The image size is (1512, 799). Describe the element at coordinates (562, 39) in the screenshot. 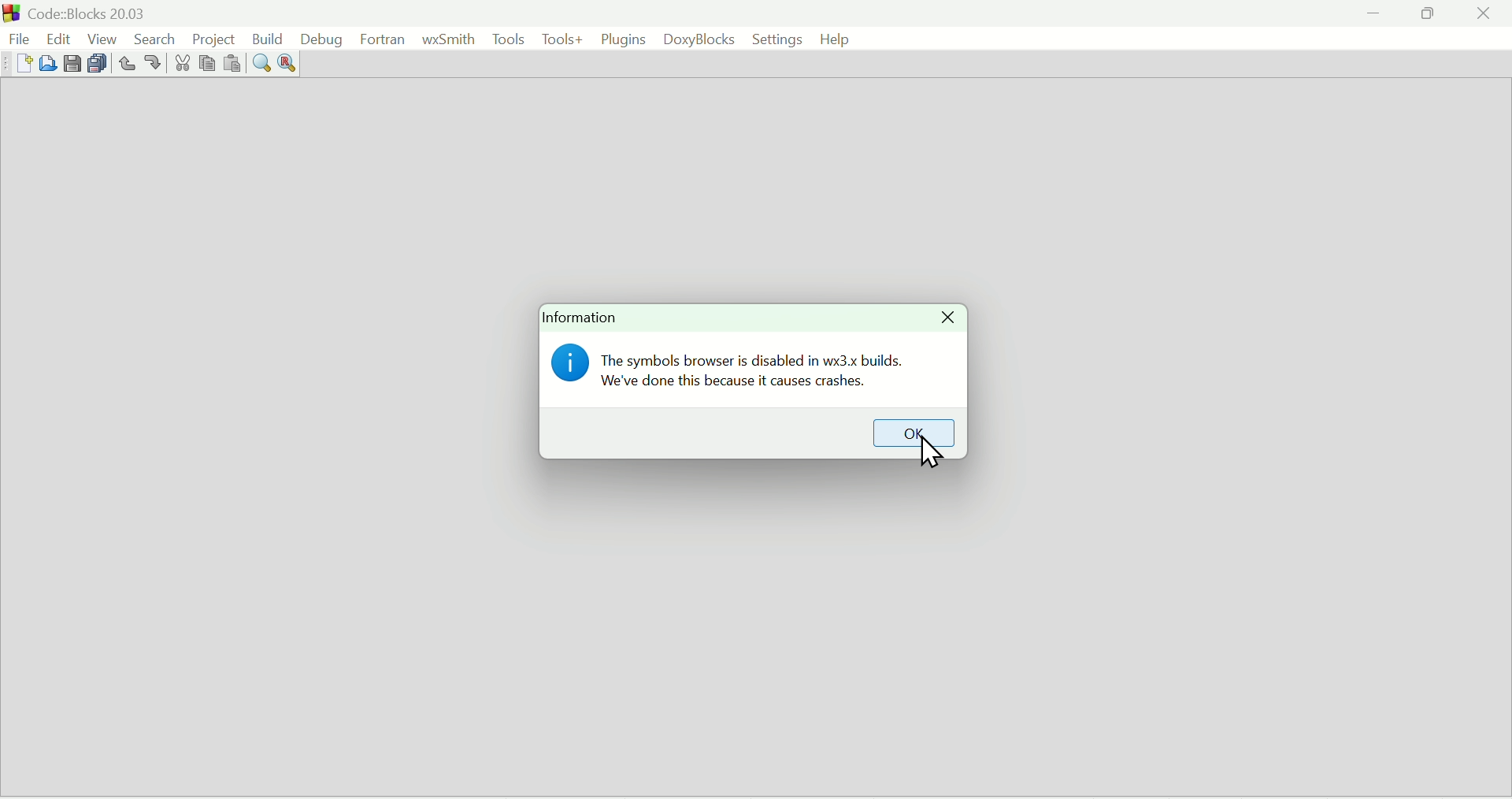

I see `Tools+` at that location.